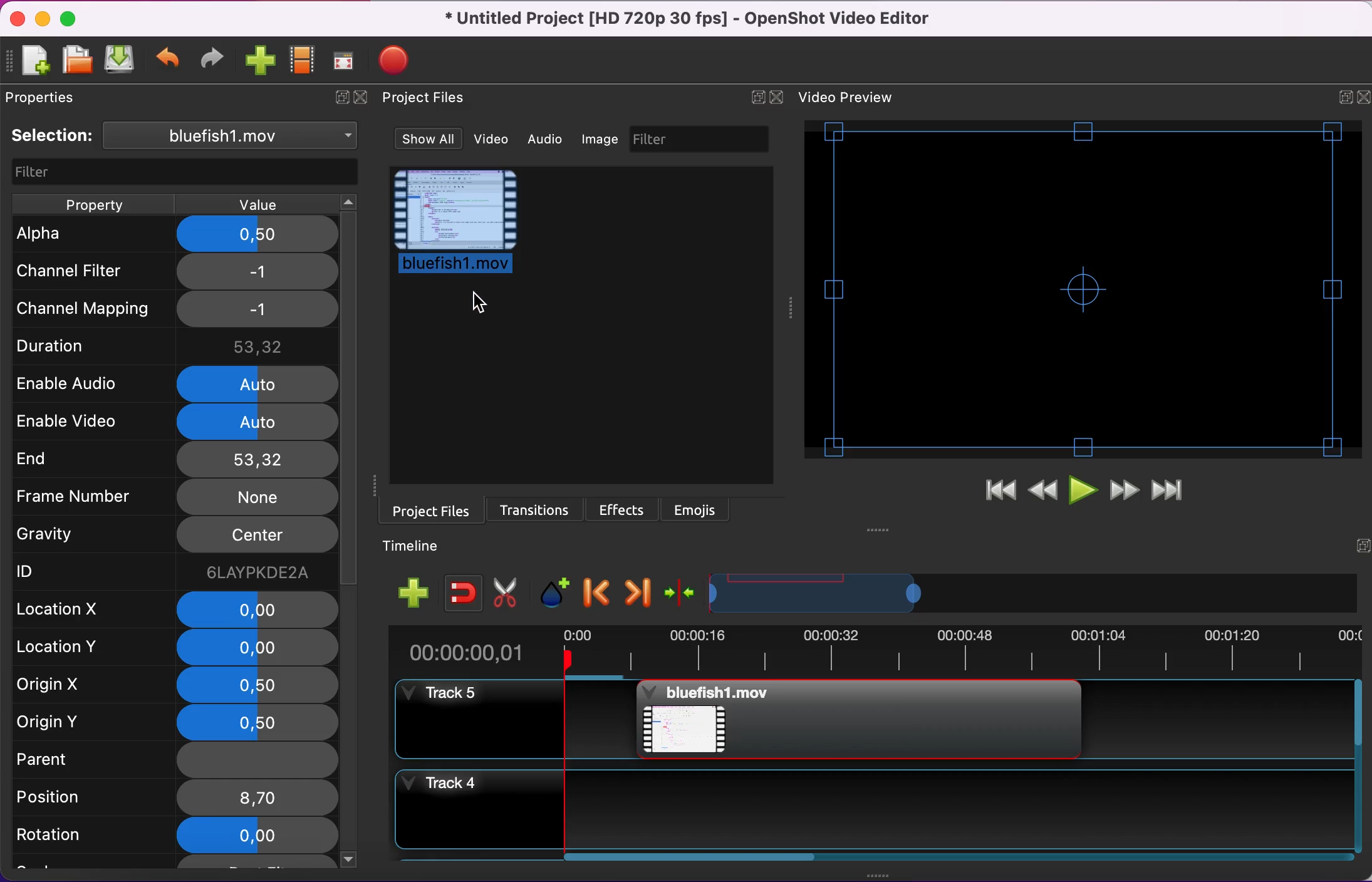 The height and width of the screenshot is (882, 1372). What do you see at coordinates (261, 724) in the screenshot?
I see `0,5` at bounding box center [261, 724].